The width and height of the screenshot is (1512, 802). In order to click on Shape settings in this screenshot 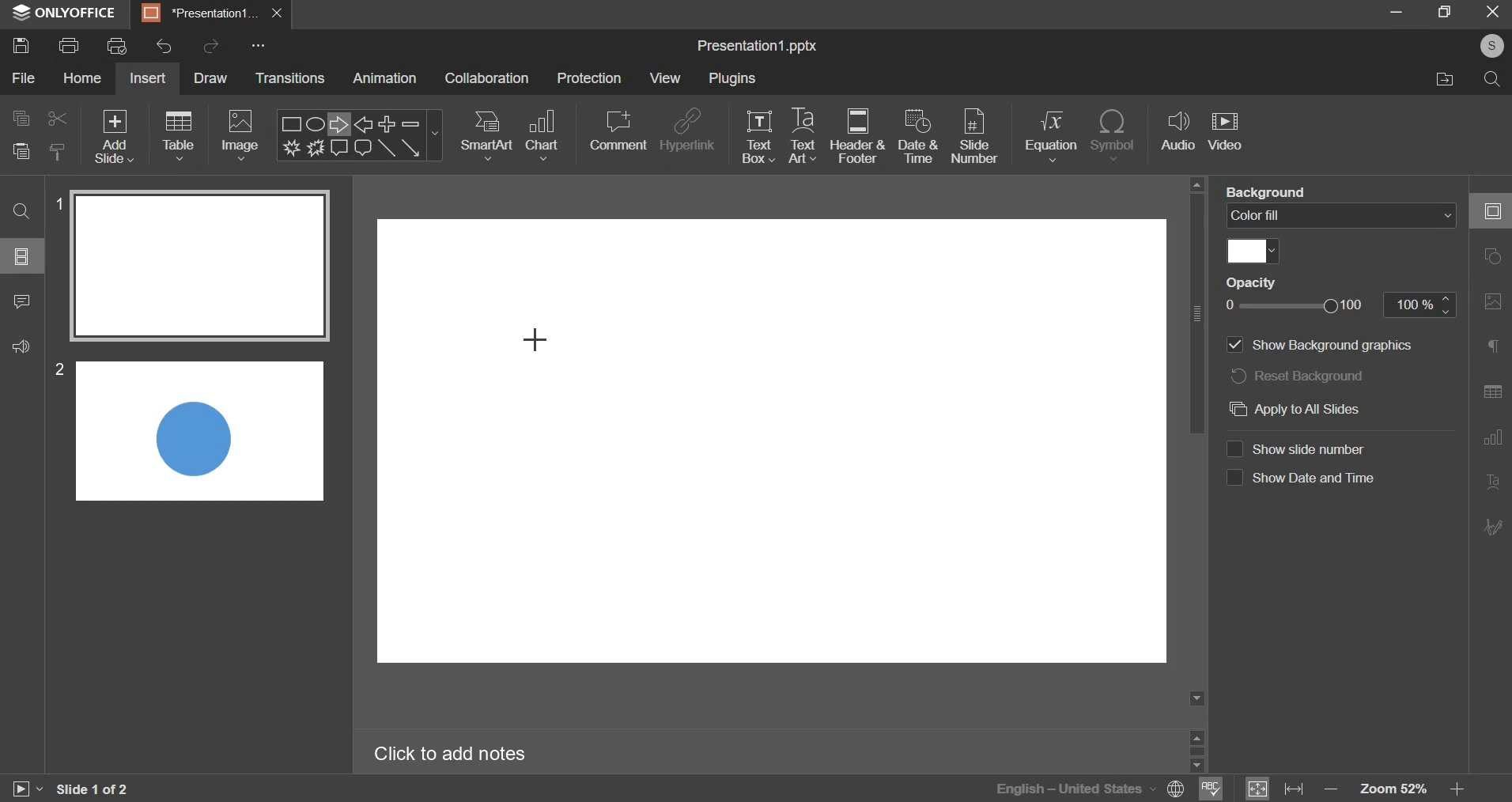, I will do `click(1491, 254)`.